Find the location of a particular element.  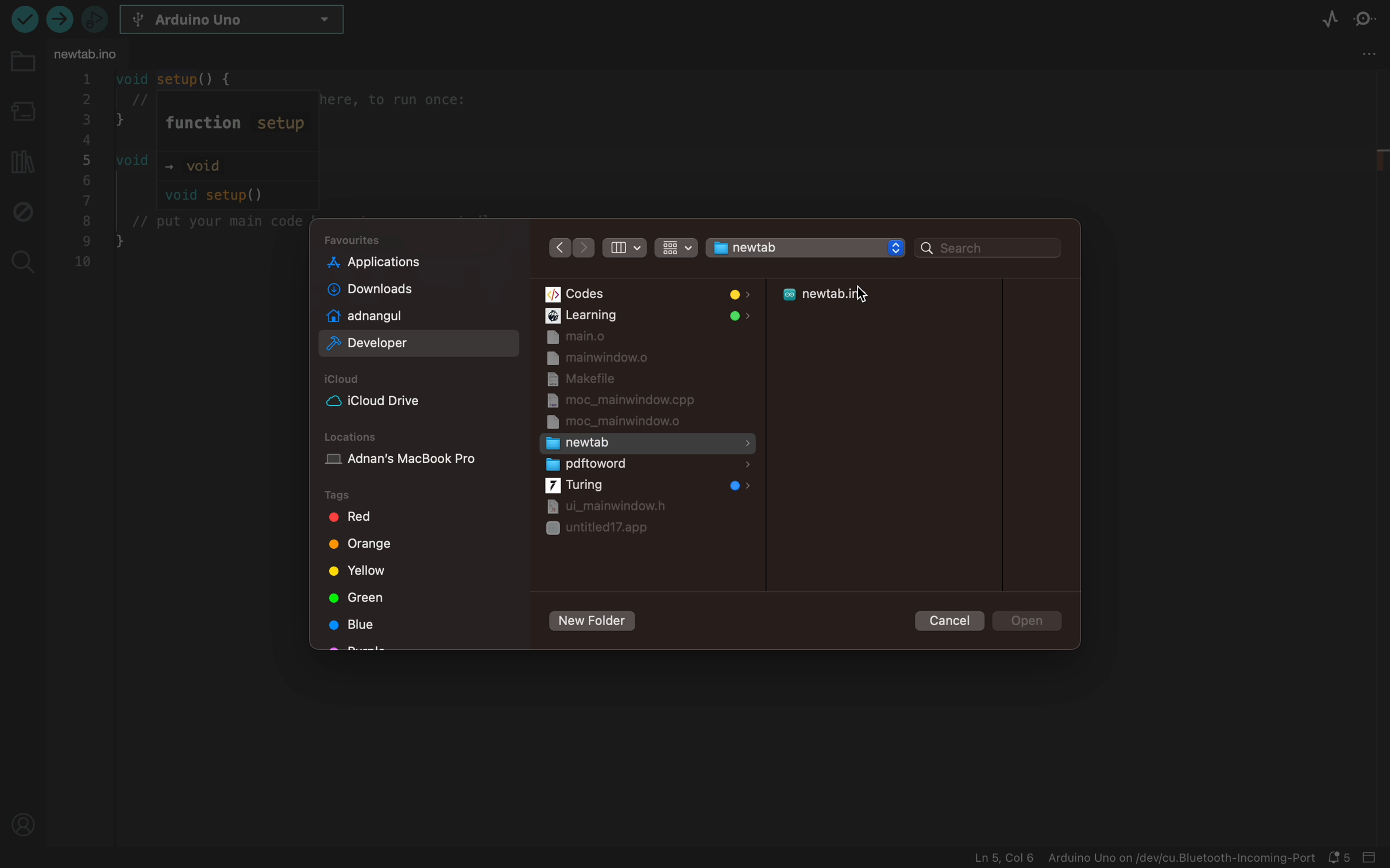

debugger is located at coordinates (94, 18).